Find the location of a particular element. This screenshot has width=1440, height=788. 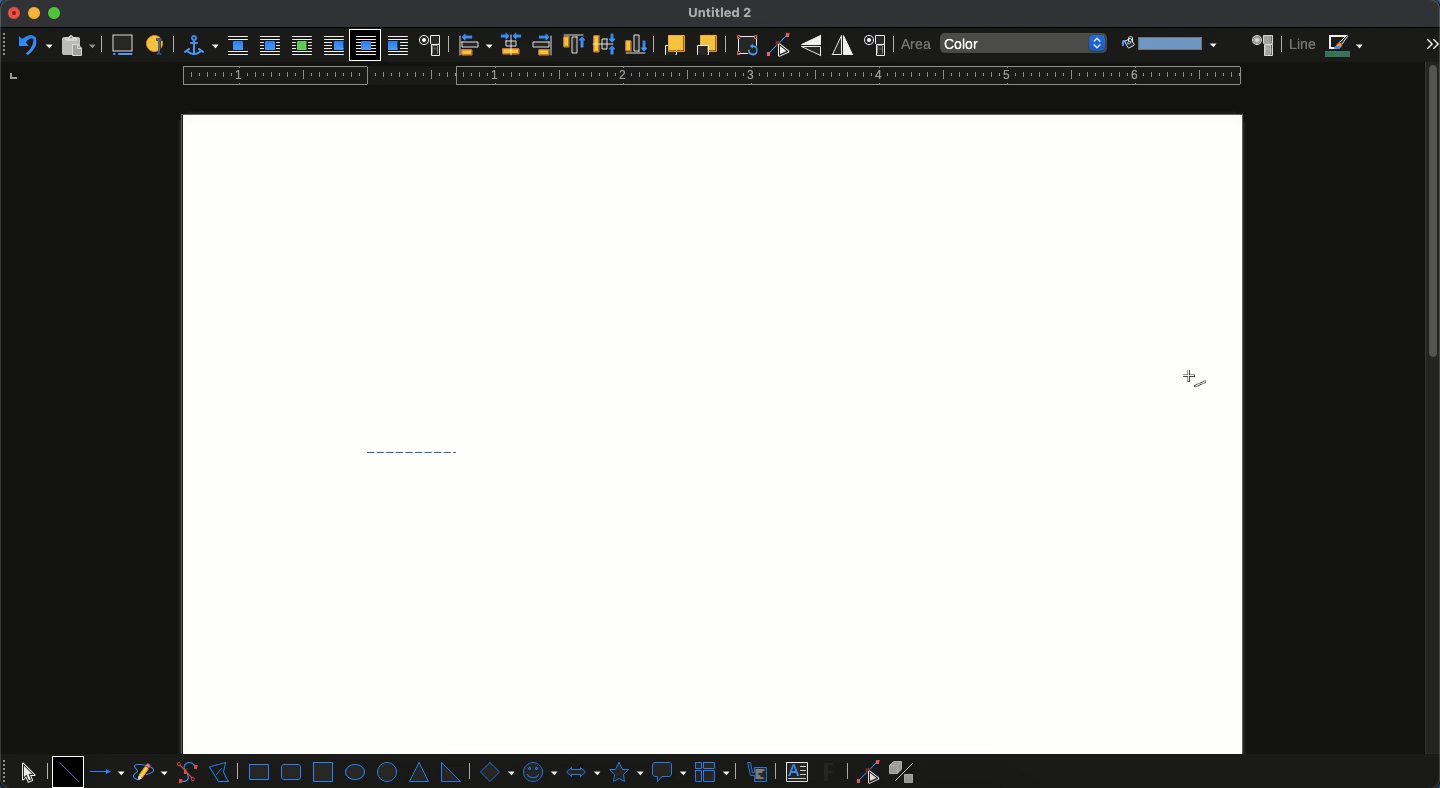

lines and arrows is located at coordinates (109, 772).